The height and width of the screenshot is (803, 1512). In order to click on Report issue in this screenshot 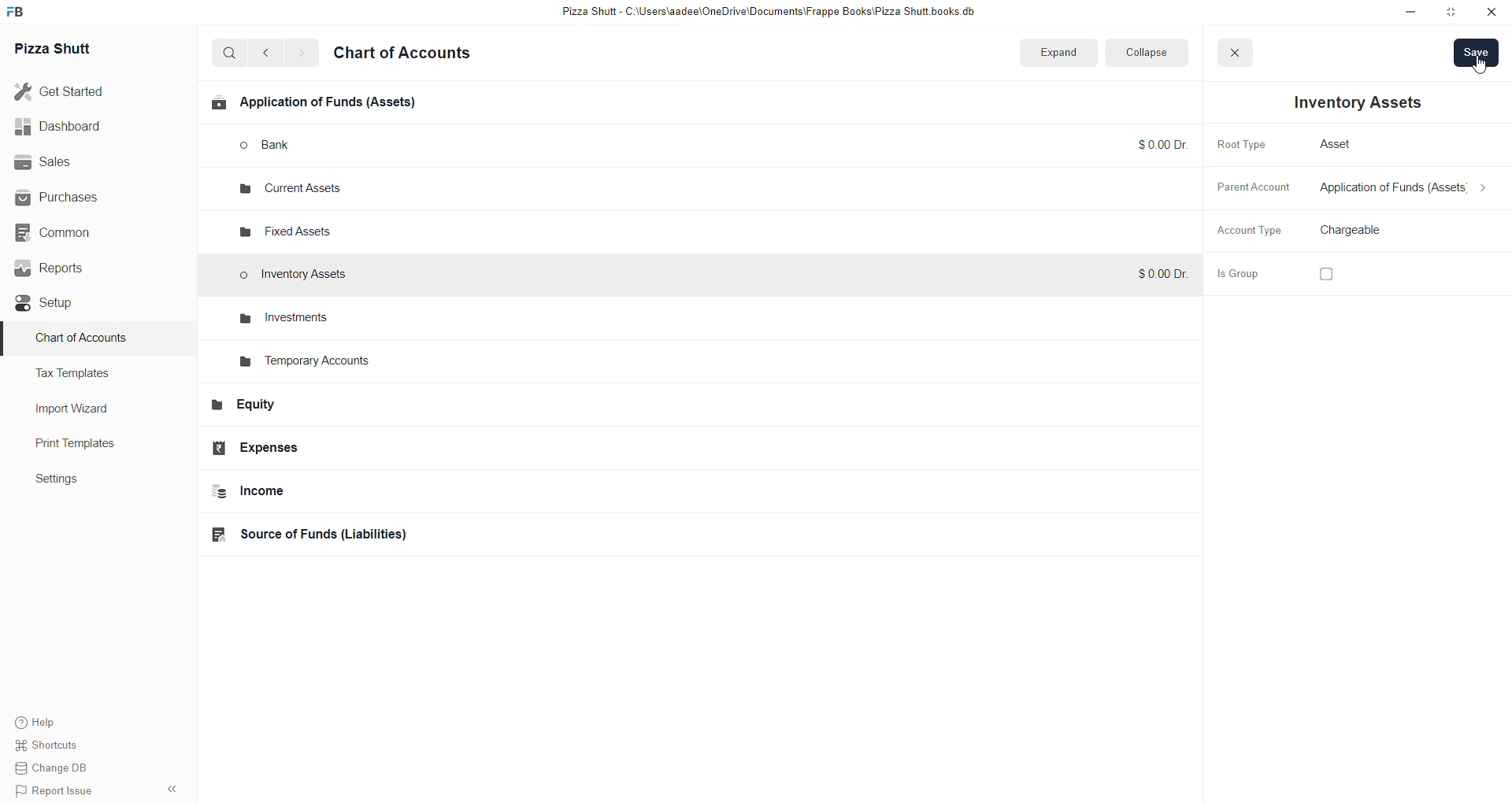, I will do `click(56, 793)`.